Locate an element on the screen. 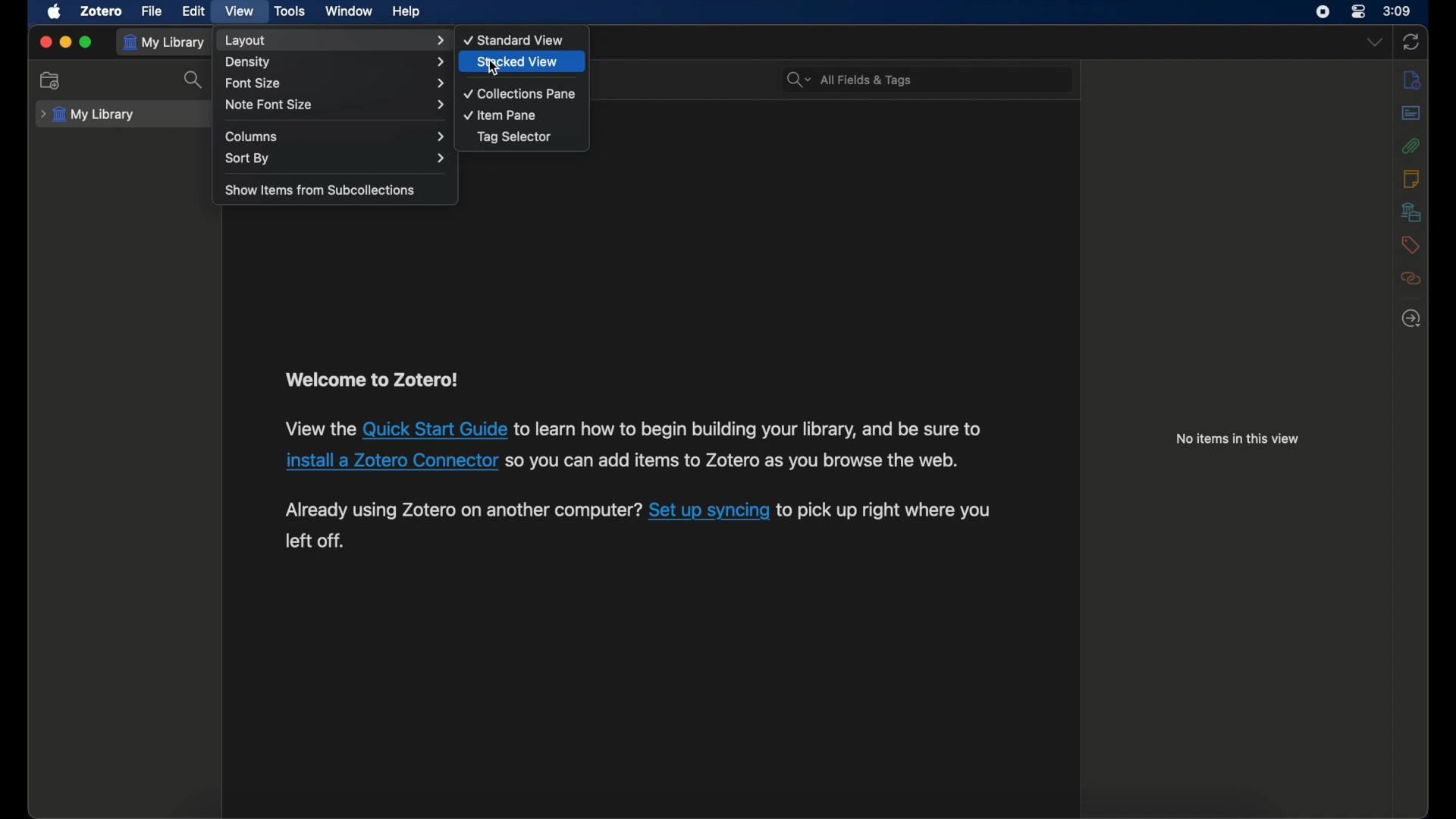  attachments is located at coordinates (1411, 146).